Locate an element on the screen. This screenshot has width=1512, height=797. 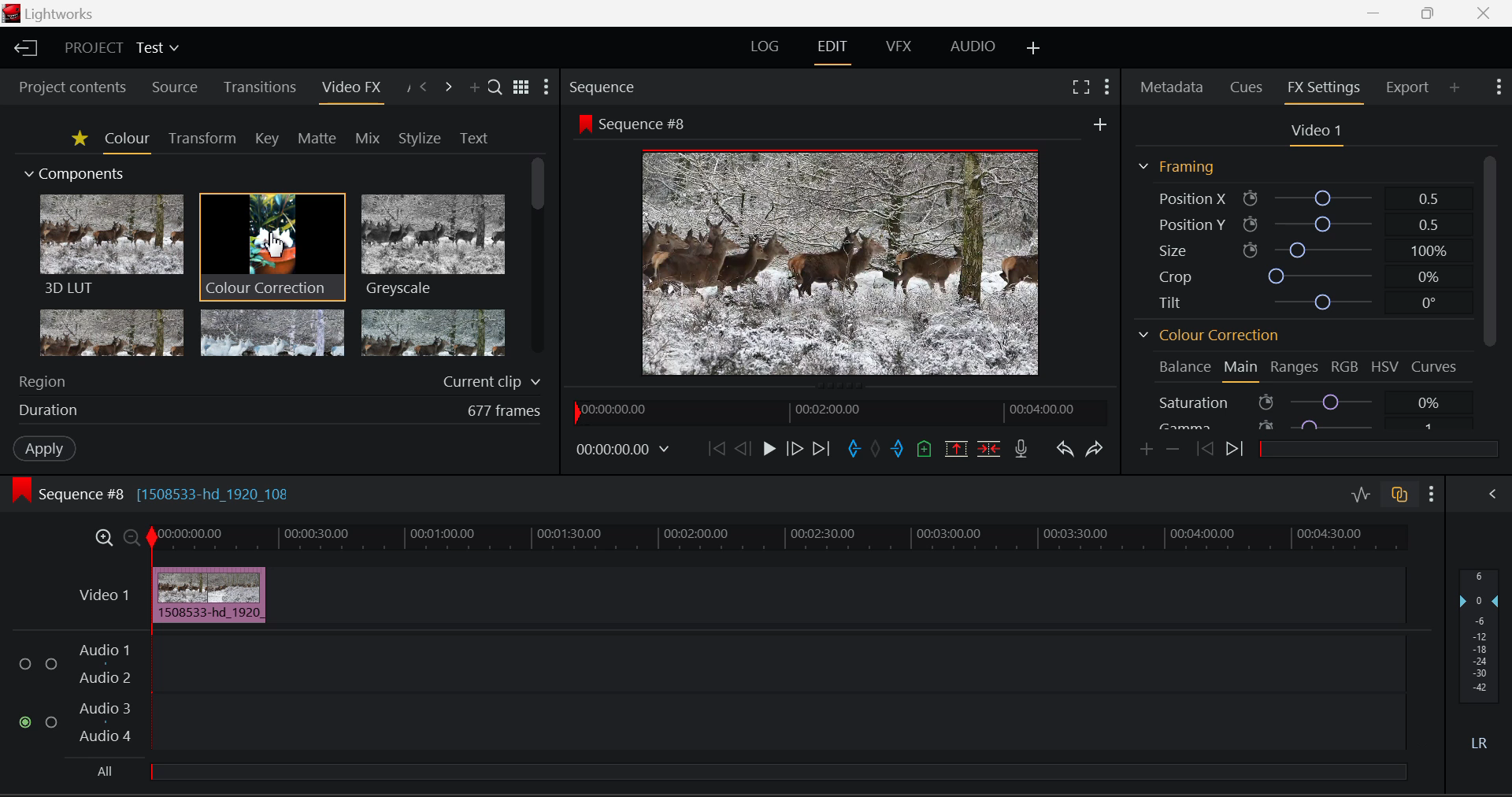
Text is located at coordinates (474, 138).